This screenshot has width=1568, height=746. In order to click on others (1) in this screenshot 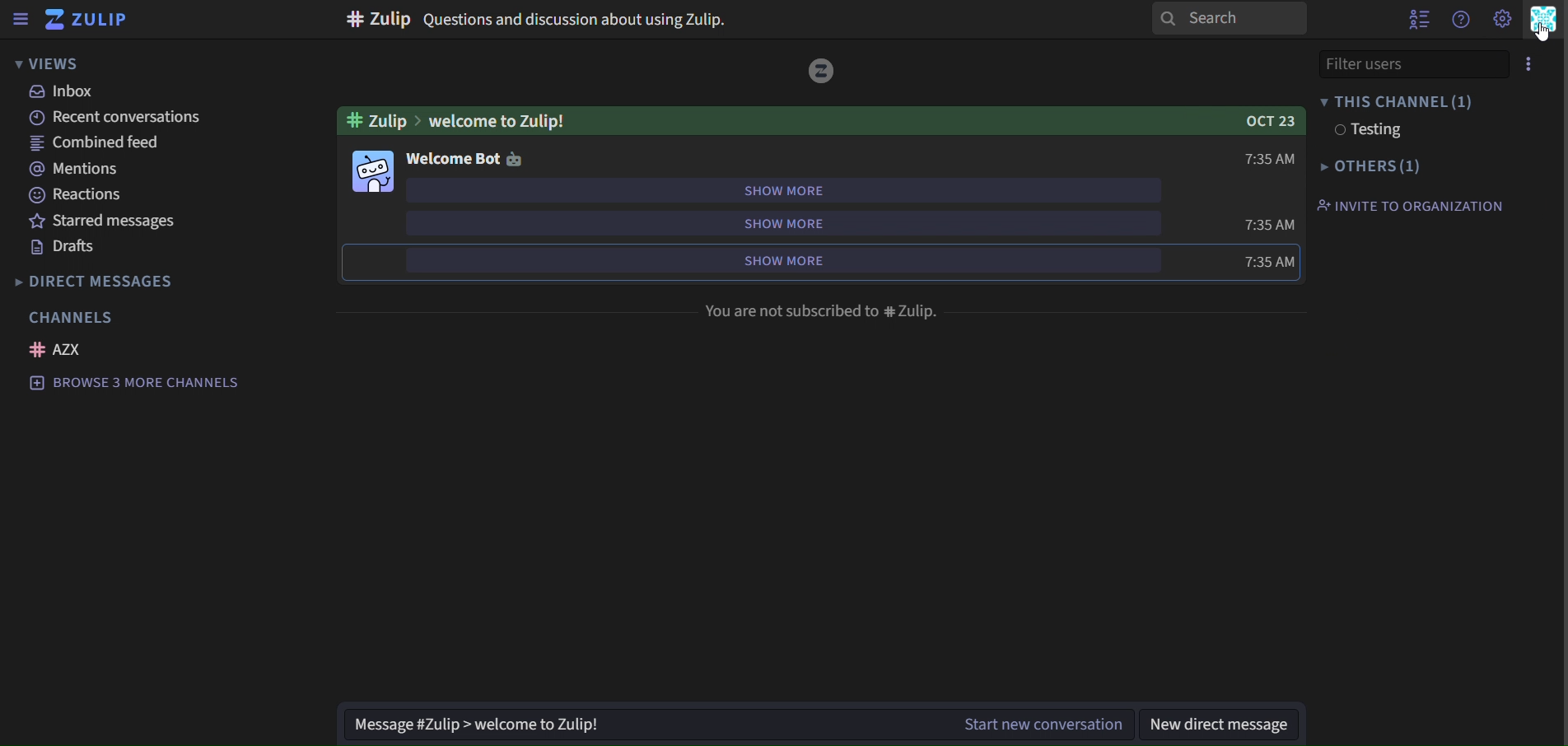, I will do `click(1370, 165)`.